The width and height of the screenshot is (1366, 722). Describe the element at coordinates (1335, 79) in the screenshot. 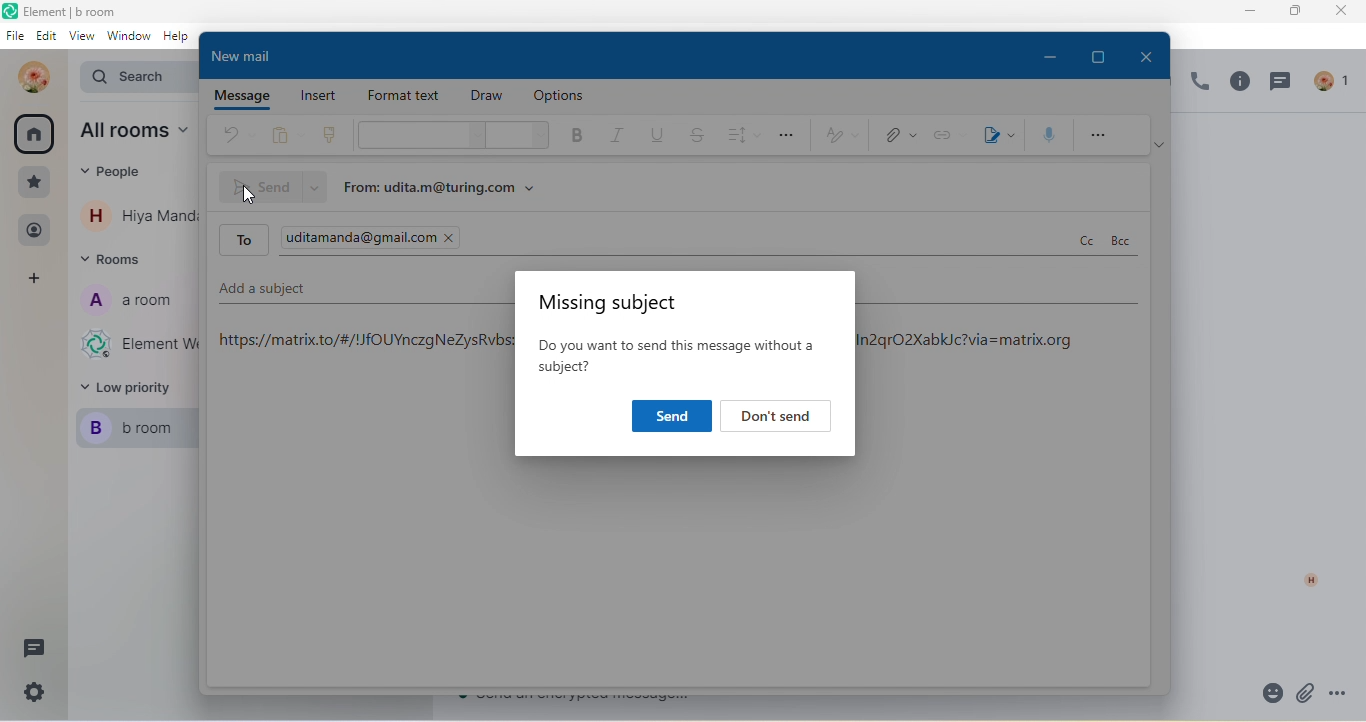

I see `people` at that location.